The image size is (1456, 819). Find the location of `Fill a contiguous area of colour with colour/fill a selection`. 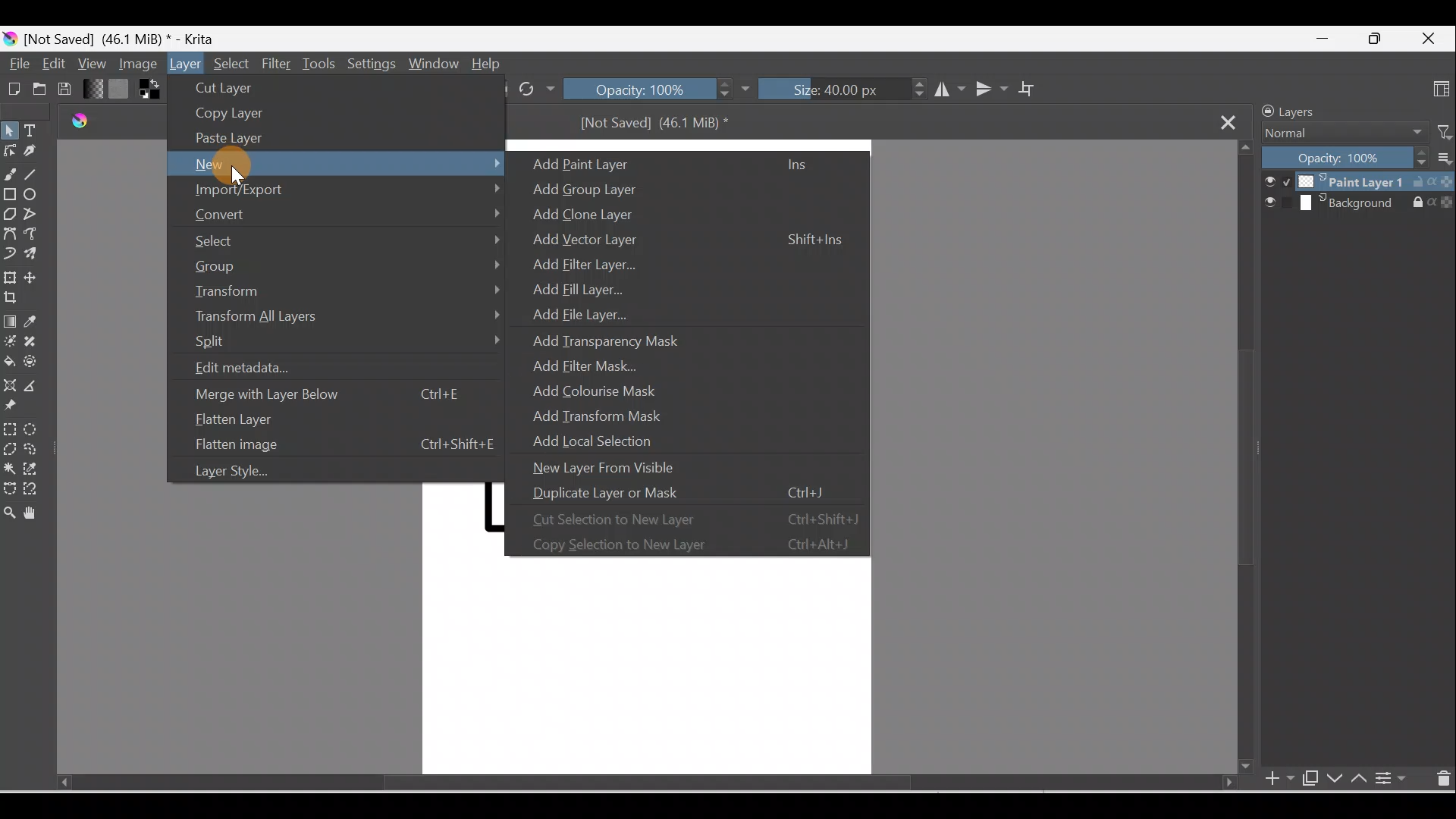

Fill a contiguous area of colour with colour/fill a selection is located at coordinates (9, 362).